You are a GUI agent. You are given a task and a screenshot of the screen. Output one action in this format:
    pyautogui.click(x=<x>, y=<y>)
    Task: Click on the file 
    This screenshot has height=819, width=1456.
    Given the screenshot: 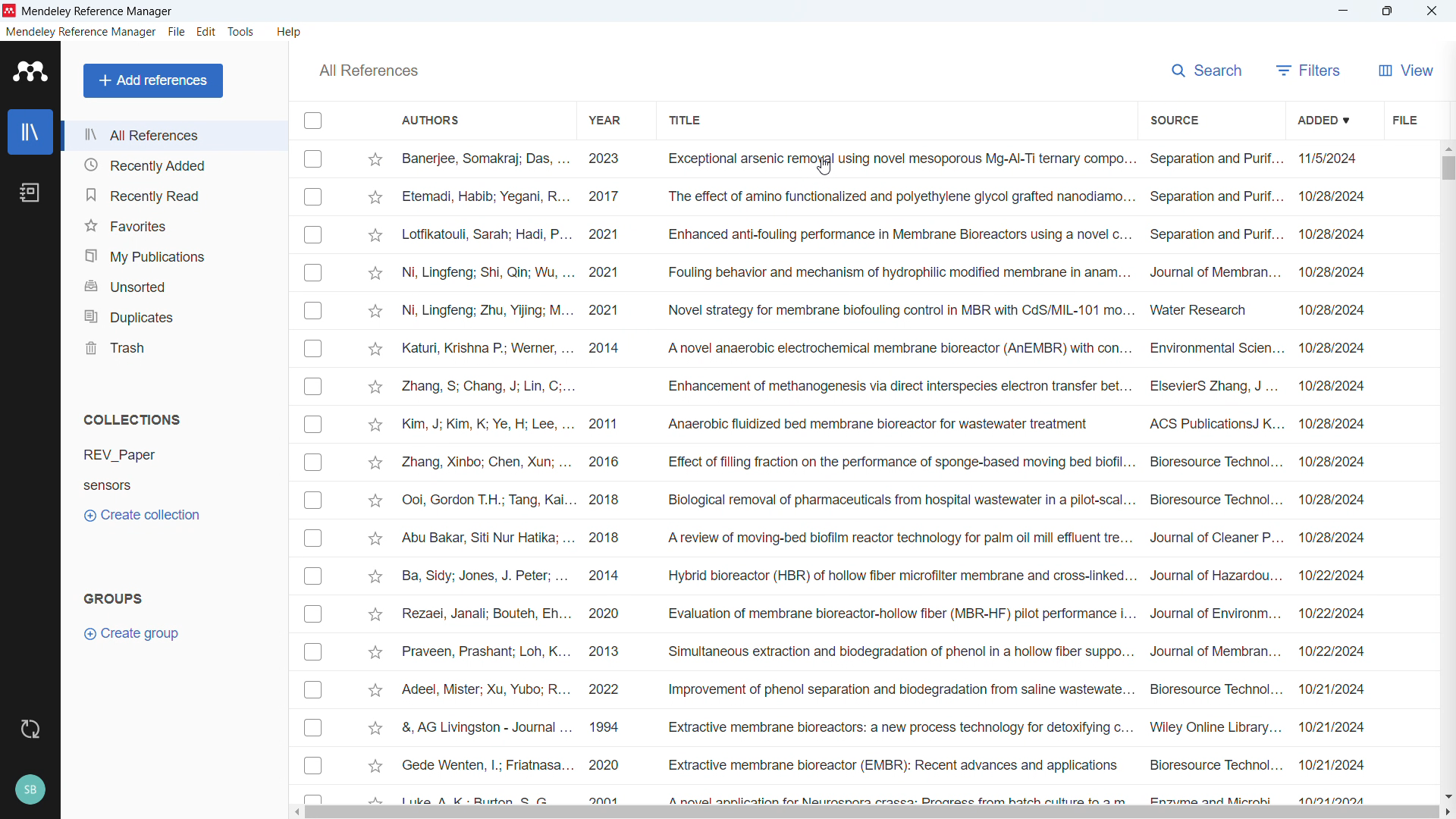 What is the action you would take?
    pyautogui.click(x=177, y=33)
    